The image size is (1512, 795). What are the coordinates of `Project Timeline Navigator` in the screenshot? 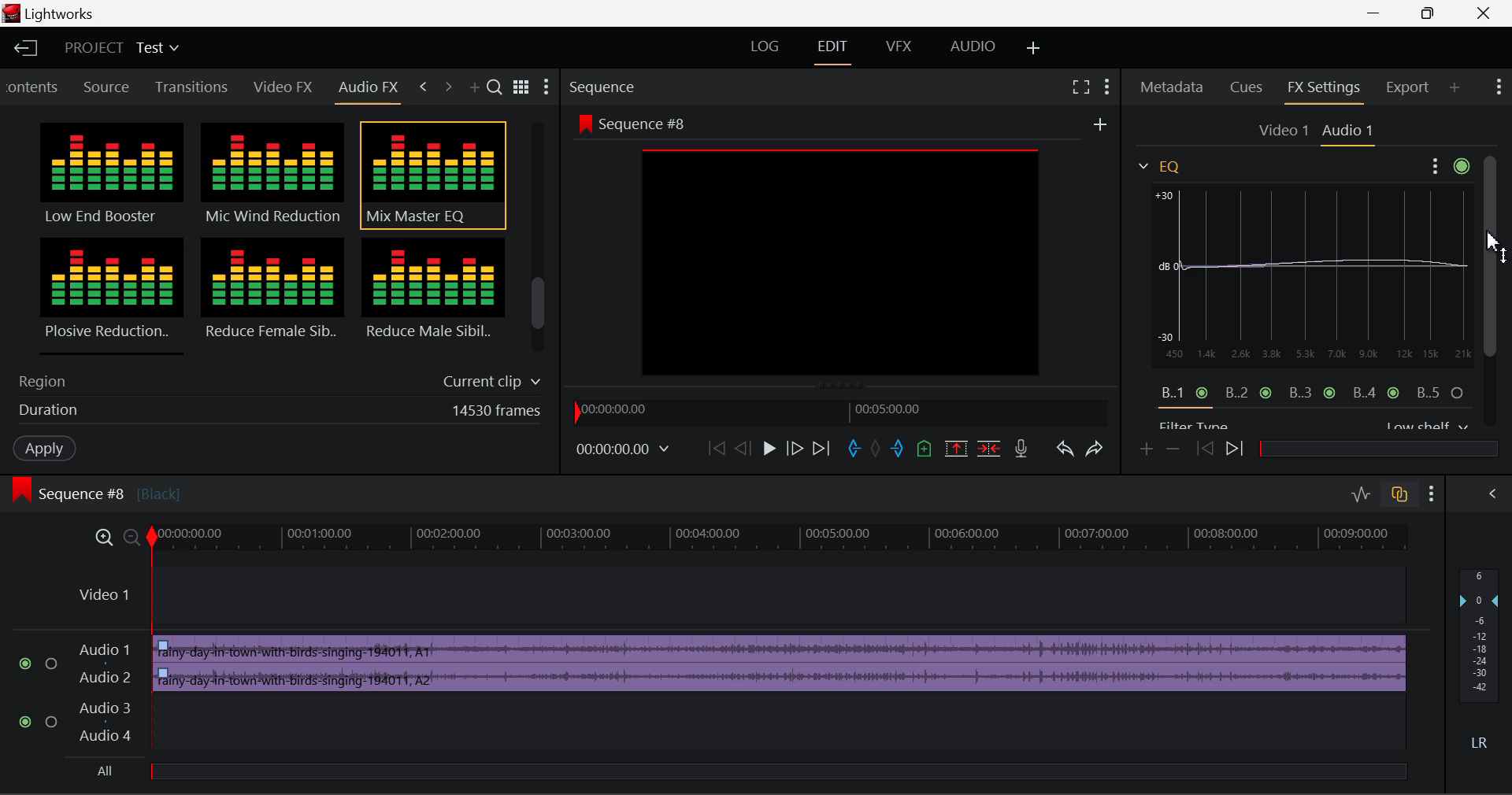 It's located at (838, 411).